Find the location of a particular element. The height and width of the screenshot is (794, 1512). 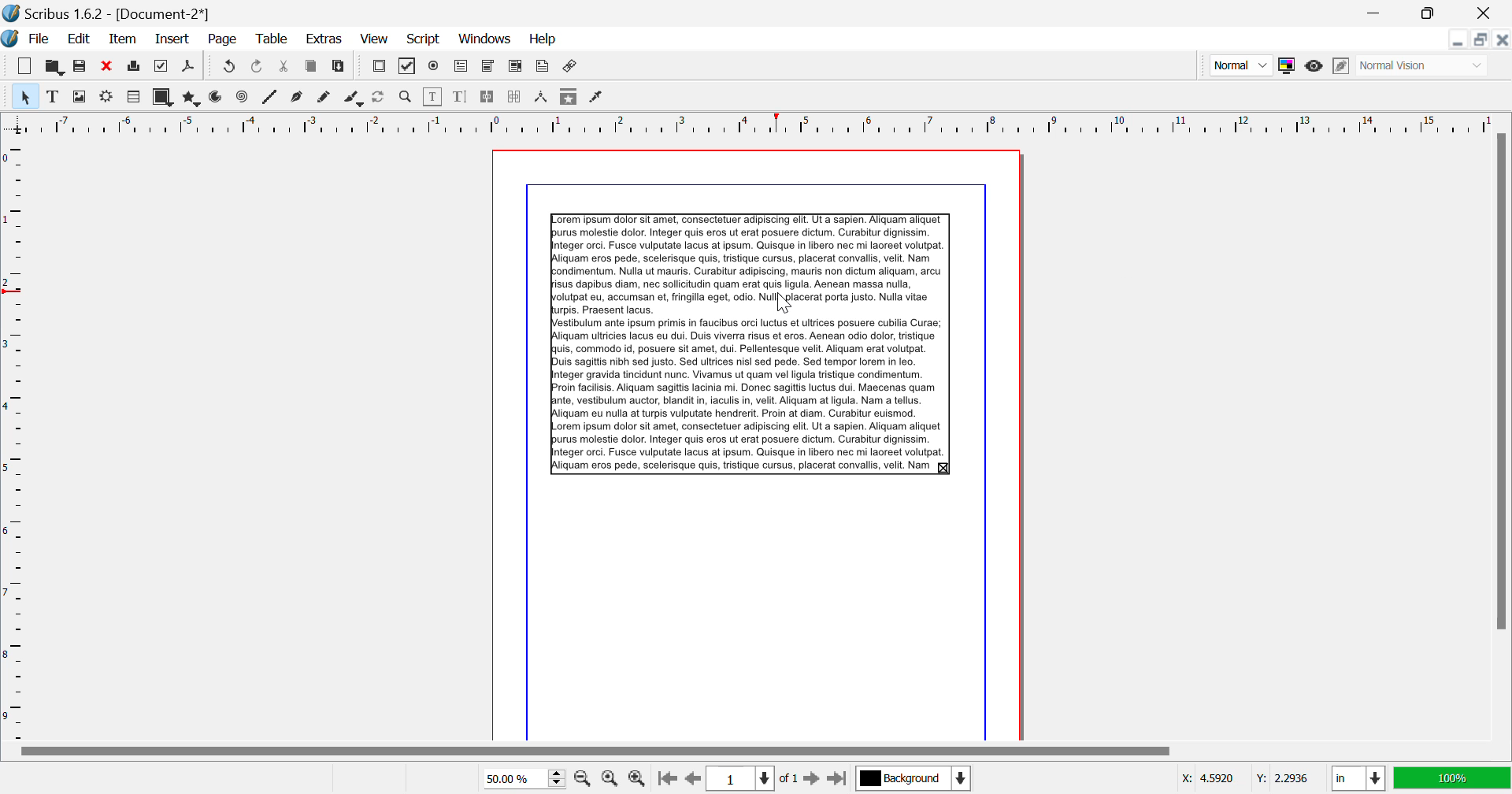

Cursor Position is located at coordinates (784, 301).